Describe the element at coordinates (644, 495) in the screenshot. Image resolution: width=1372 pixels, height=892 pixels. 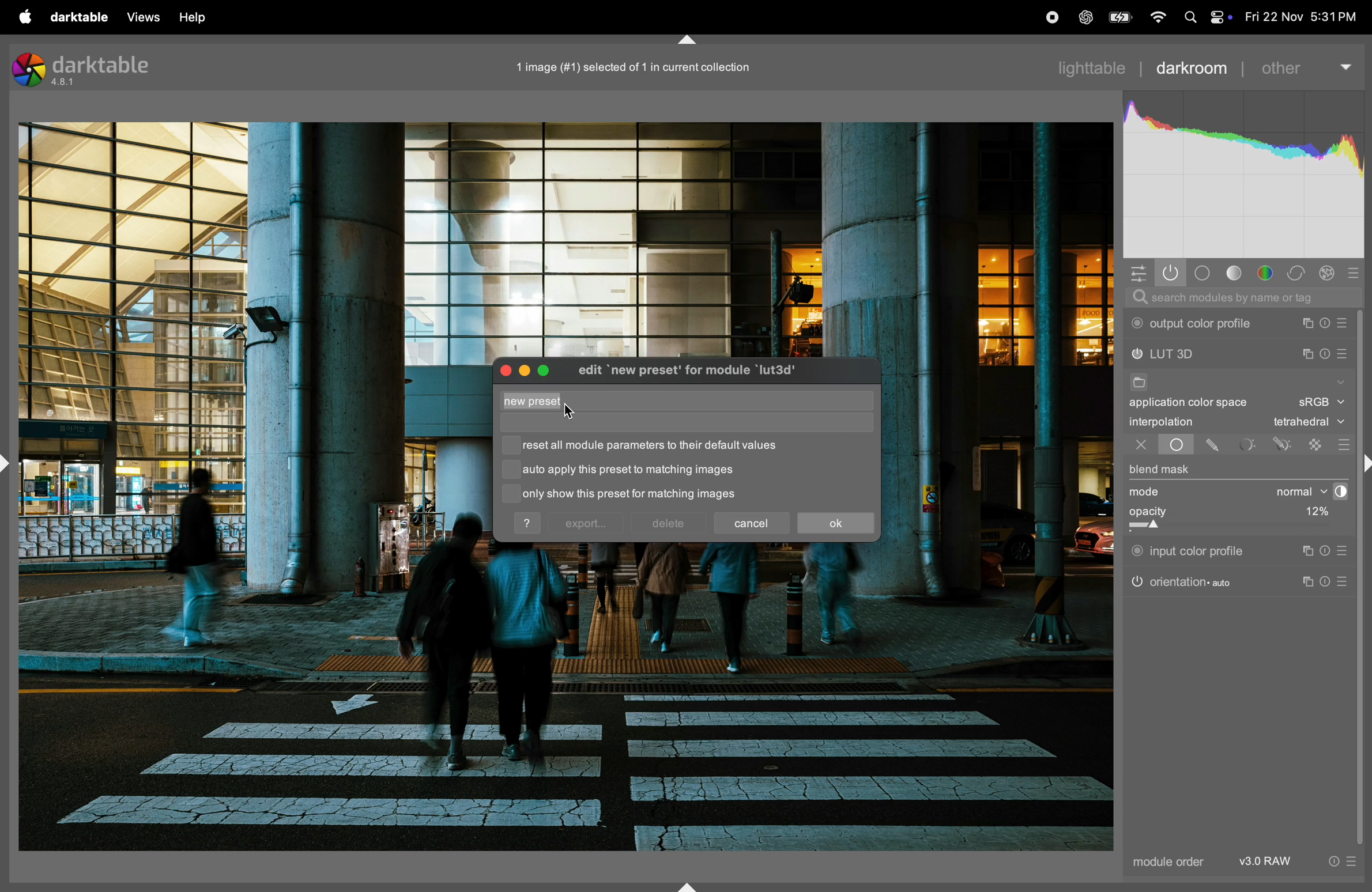
I see `only show images` at that location.